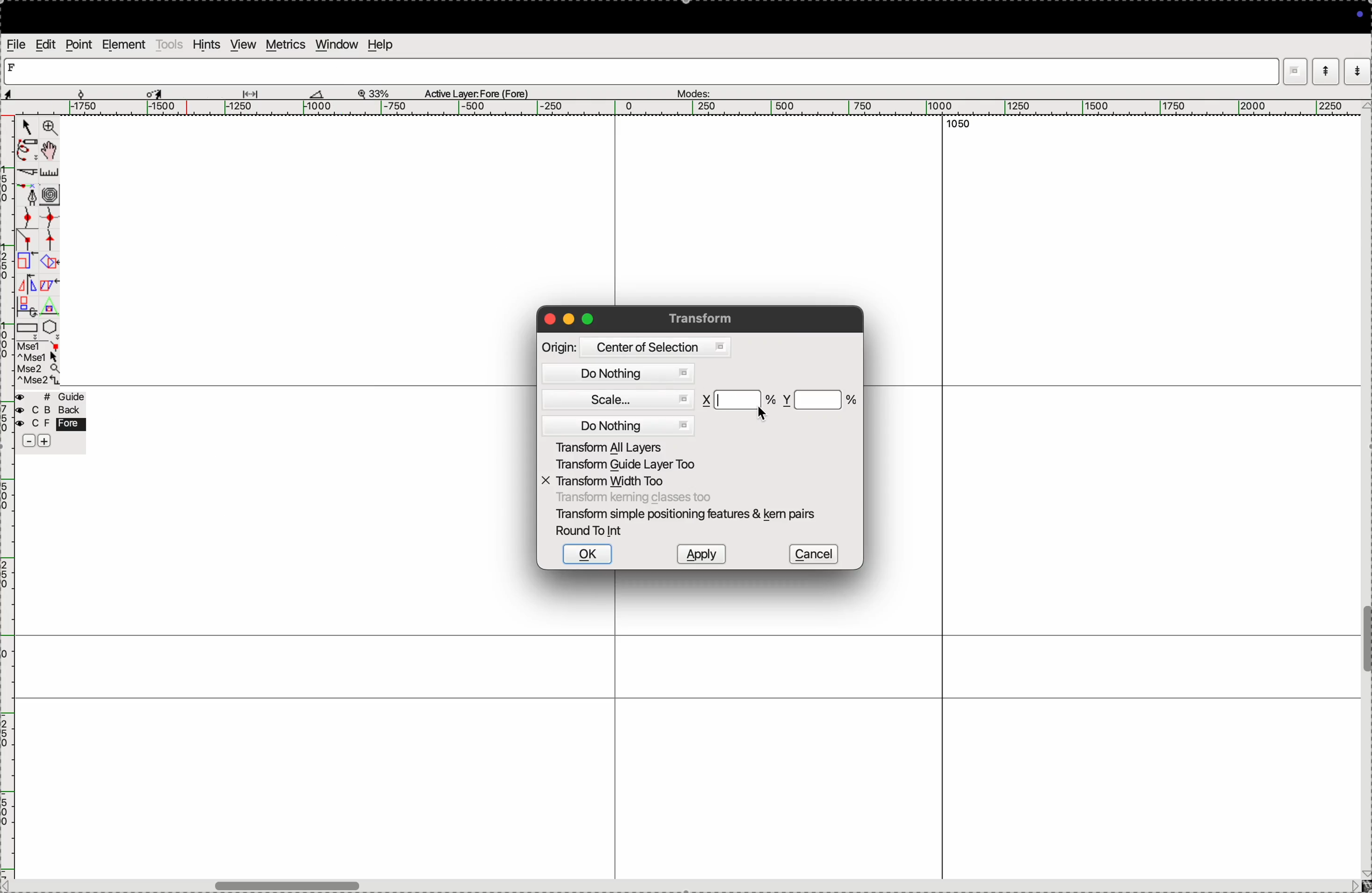  I want to click on rectangle, so click(27, 330).